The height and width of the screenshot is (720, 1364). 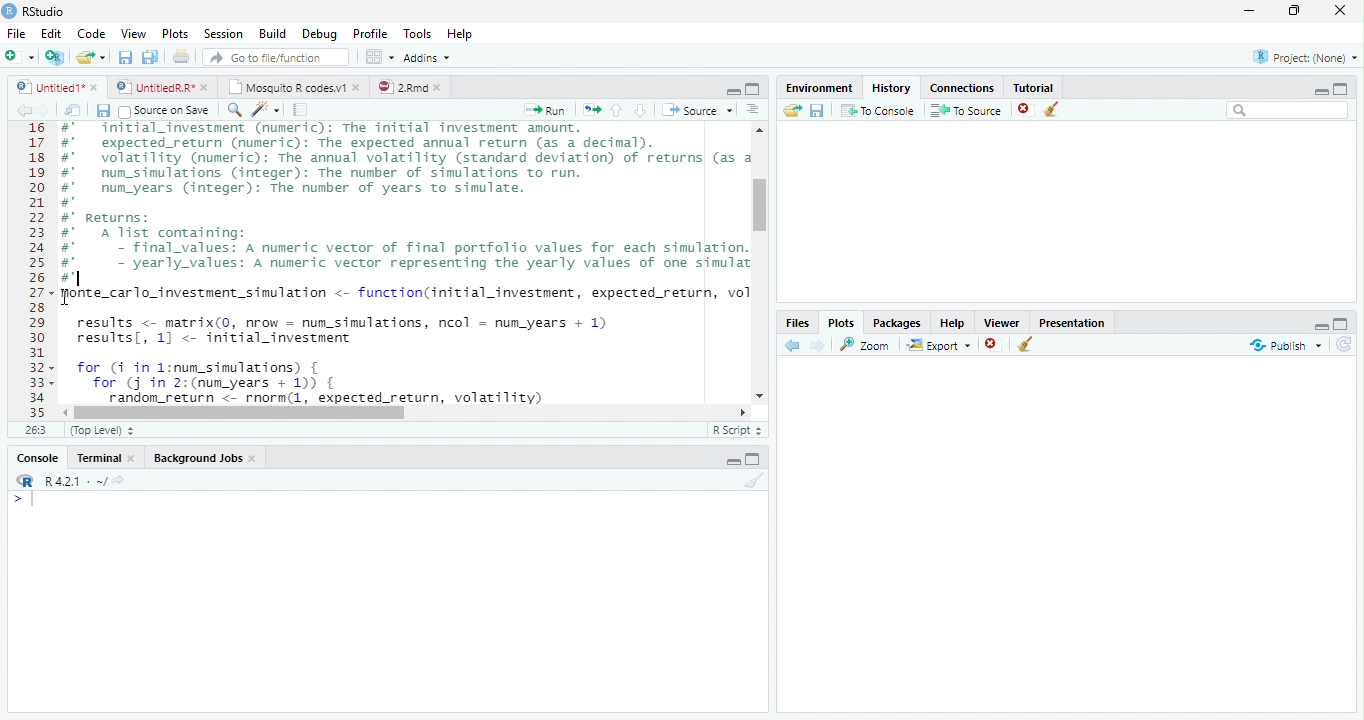 What do you see at coordinates (44, 110) in the screenshot?
I see `next source location` at bounding box center [44, 110].